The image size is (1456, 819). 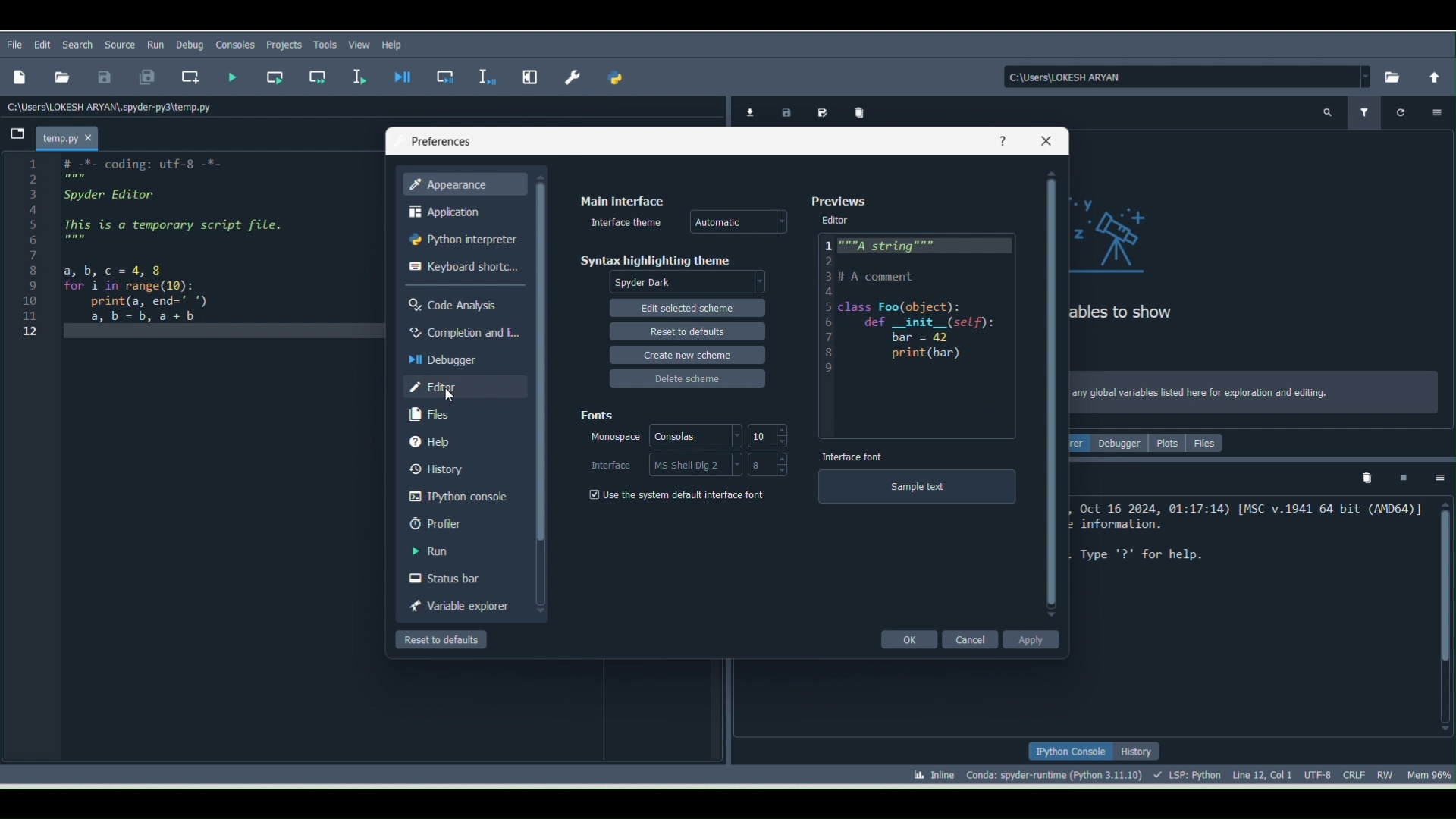 What do you see at coordinates (233, 77) in the screenshot?
I see `Run file (F5)` at bounding box center [233, 77].